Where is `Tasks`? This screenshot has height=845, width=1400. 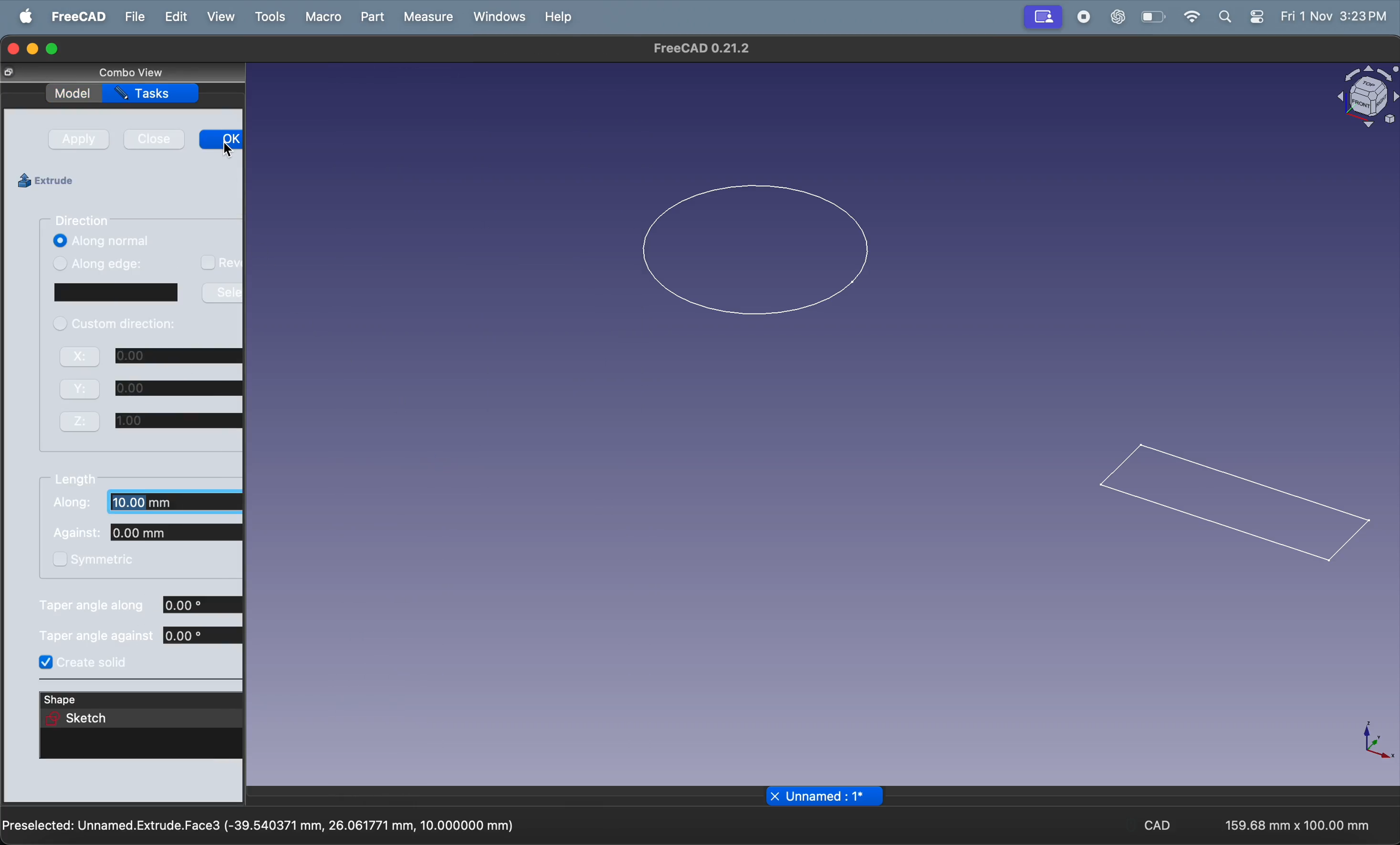 Tasks is located at coordinates (152, 93).